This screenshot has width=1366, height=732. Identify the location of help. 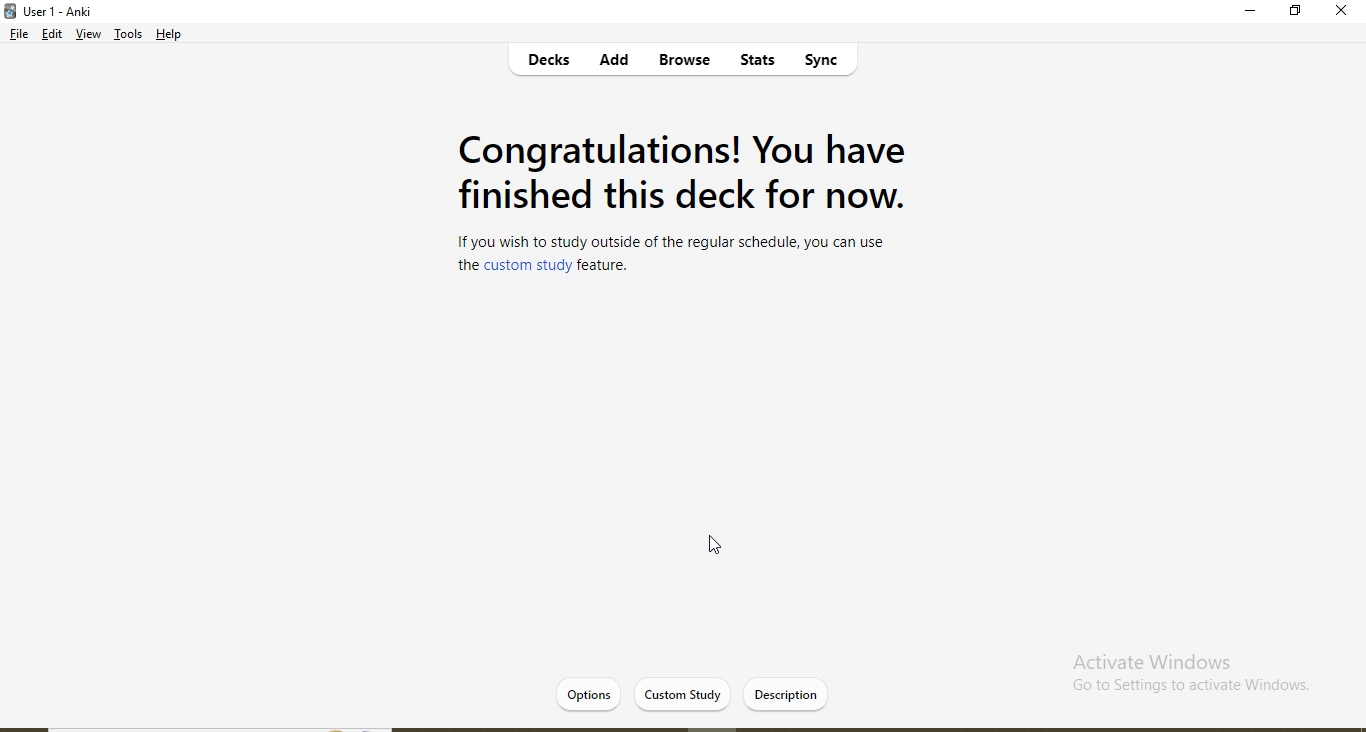
(171, 34).